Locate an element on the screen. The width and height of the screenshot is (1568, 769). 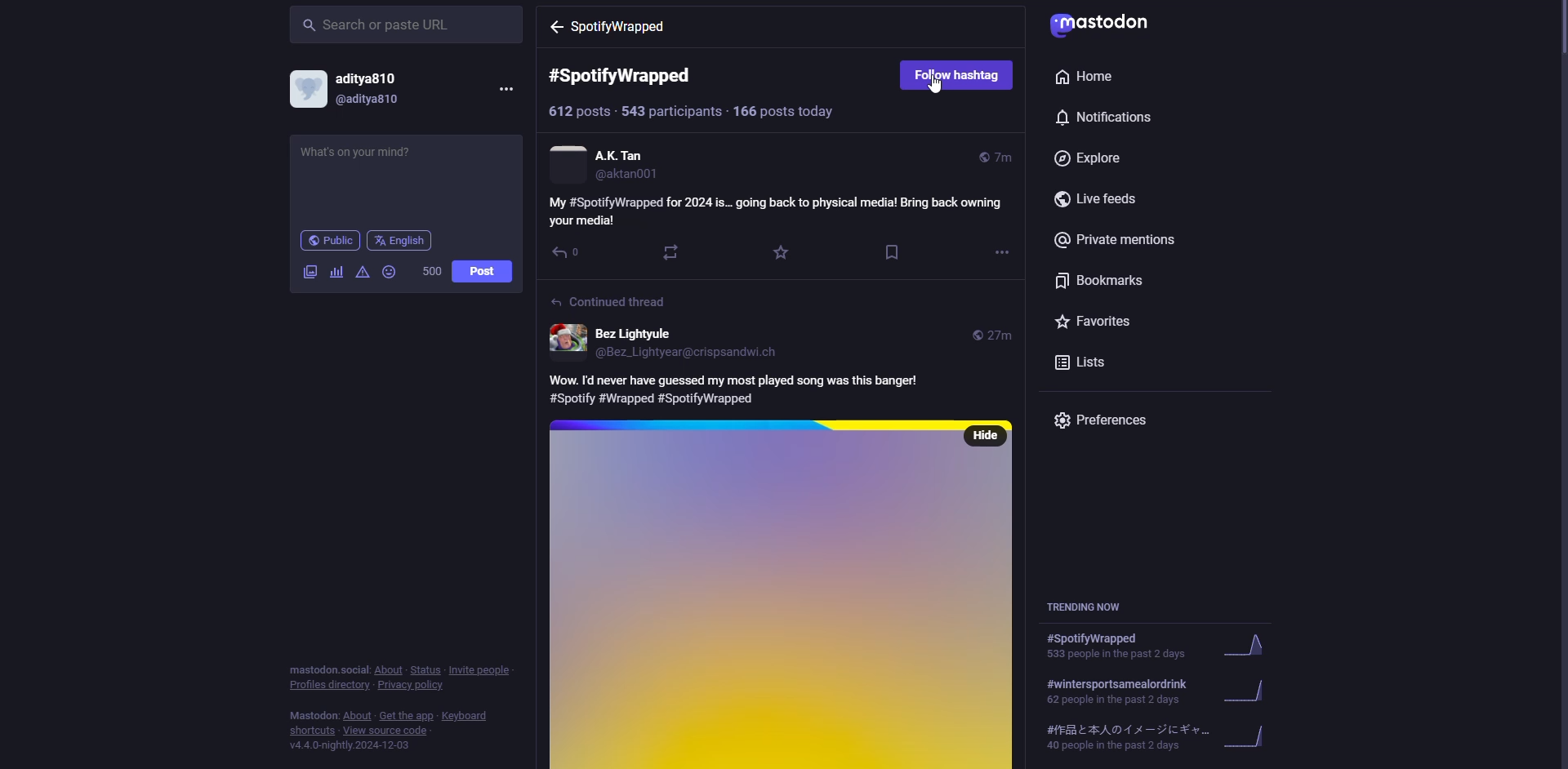
notifications is located at coordinates (1111, 118).